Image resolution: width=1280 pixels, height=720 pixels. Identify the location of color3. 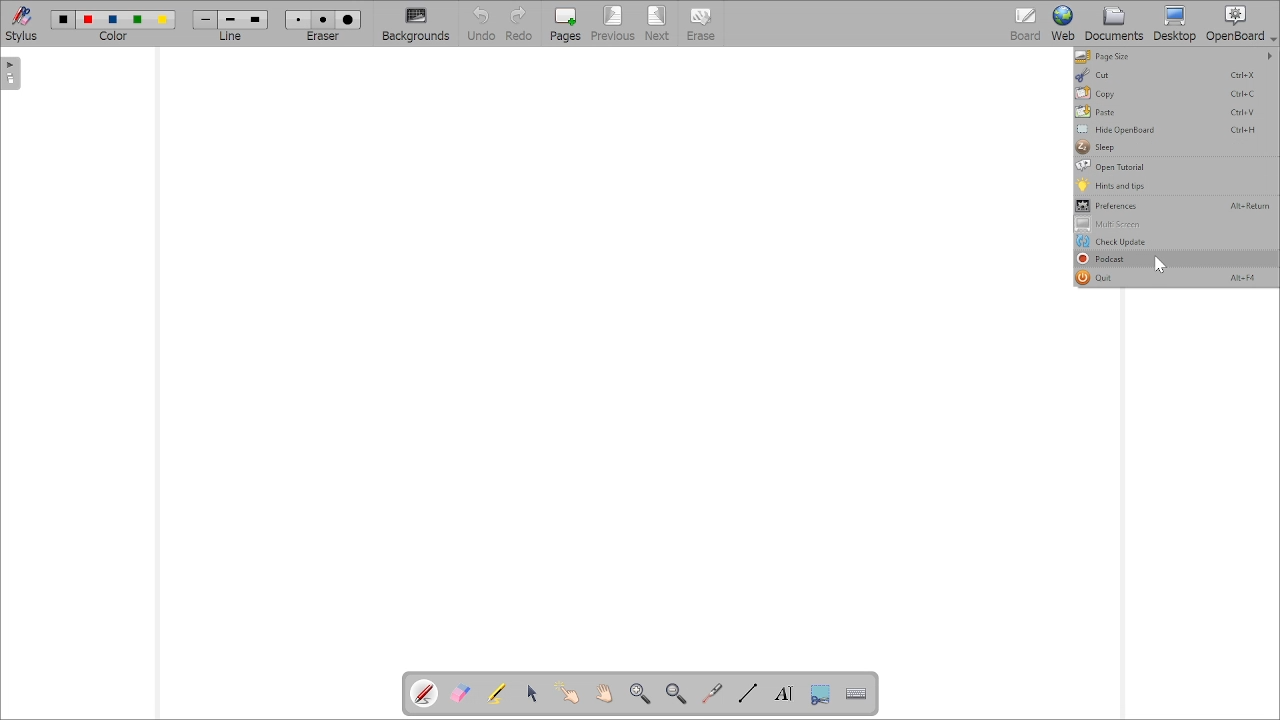
(112, 20).